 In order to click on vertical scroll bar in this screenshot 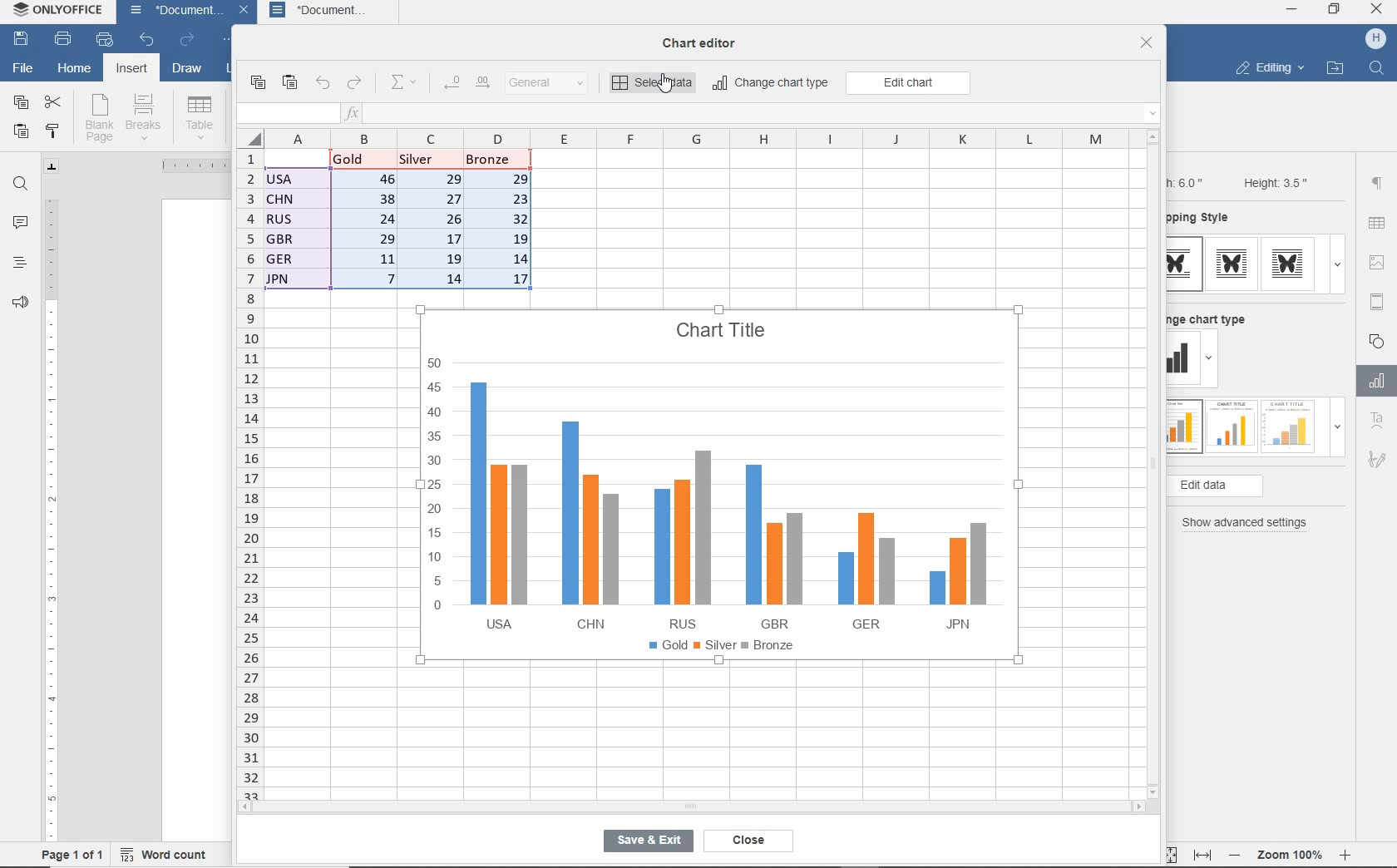, I will do `click(1158, 463)`.